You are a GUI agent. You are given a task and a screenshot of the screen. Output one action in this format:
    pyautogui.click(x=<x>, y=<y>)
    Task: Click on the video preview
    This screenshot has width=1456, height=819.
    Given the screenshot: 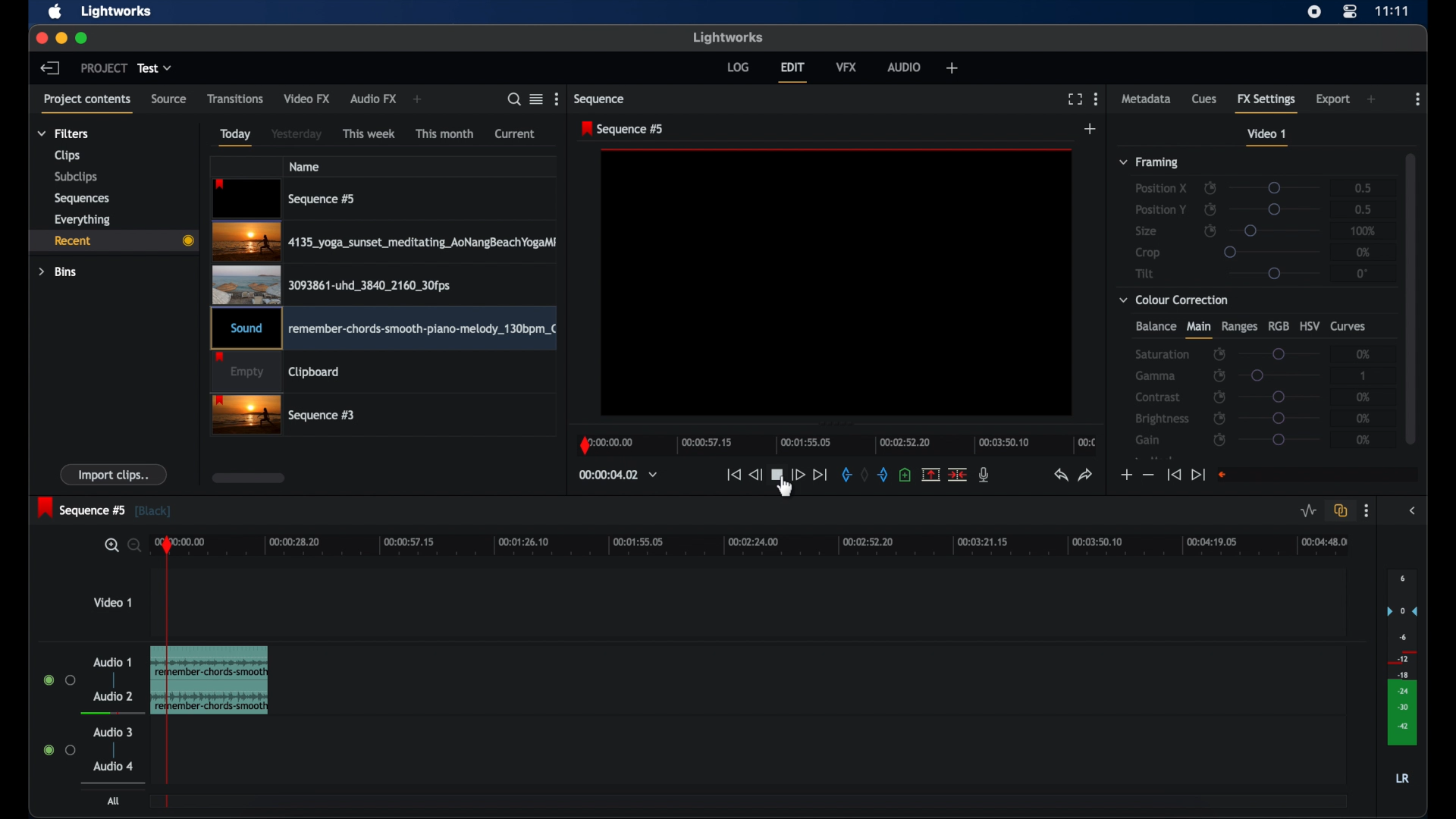 What is the action you would take?
    pyautogui.click(x=837, y=284)
    